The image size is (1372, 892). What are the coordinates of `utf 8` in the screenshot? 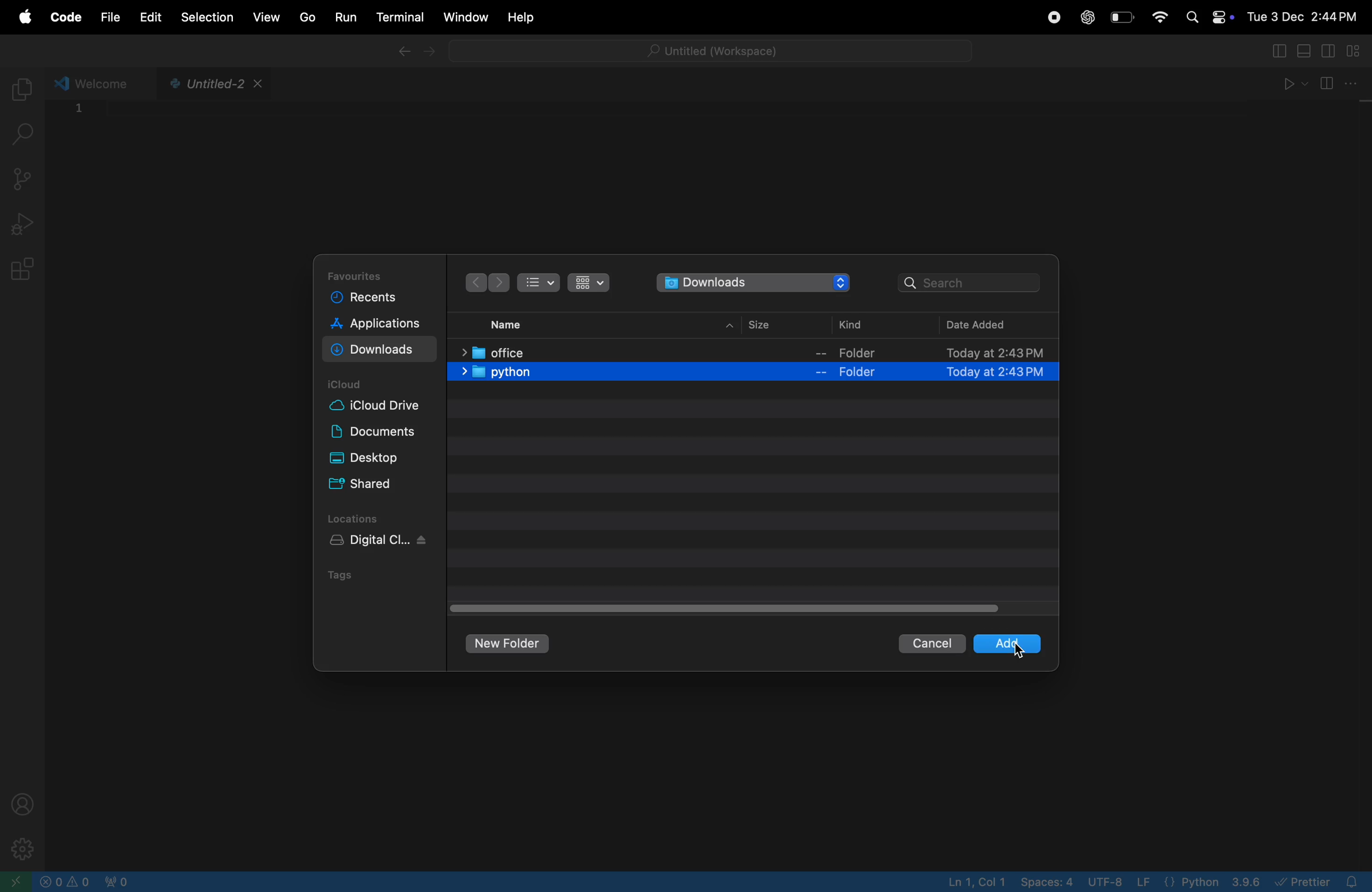 It's located at (1121, 882).